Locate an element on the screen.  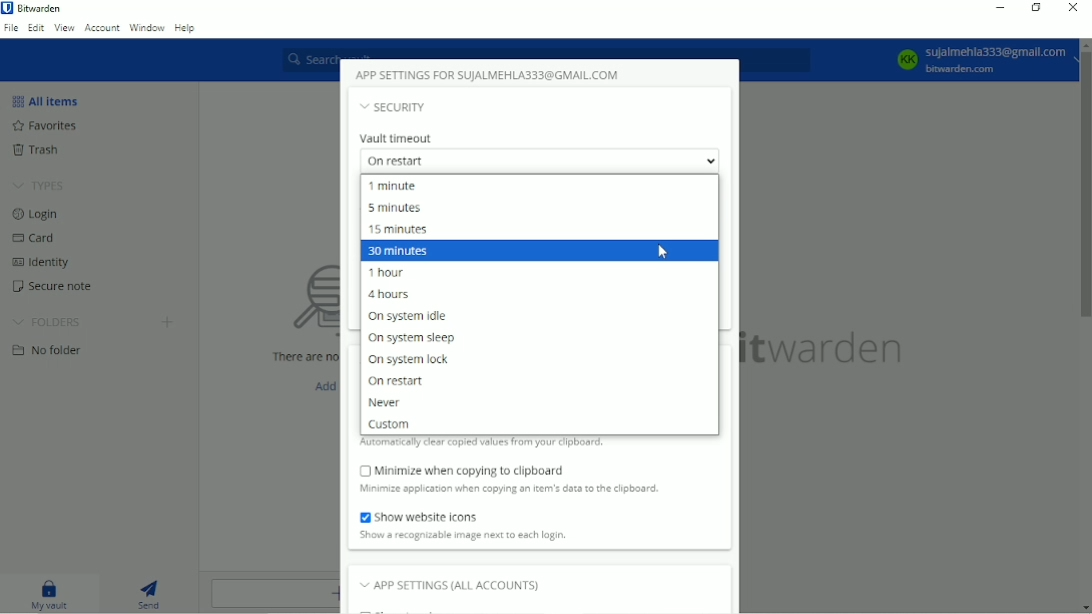
Types is located at coordinates (40, 185).